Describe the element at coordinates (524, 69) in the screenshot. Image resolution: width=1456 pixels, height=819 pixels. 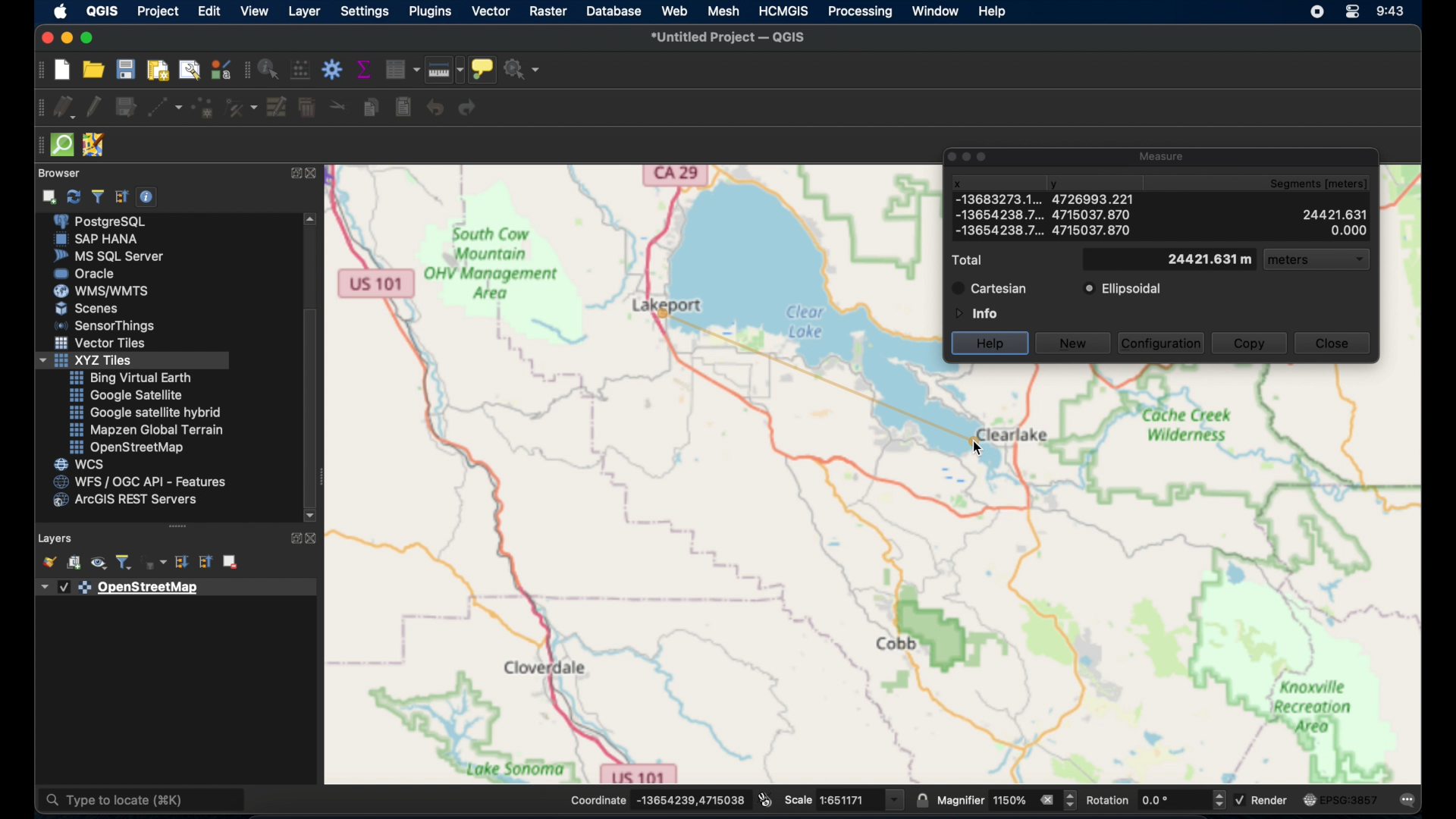
I see `no action selected` at that location.